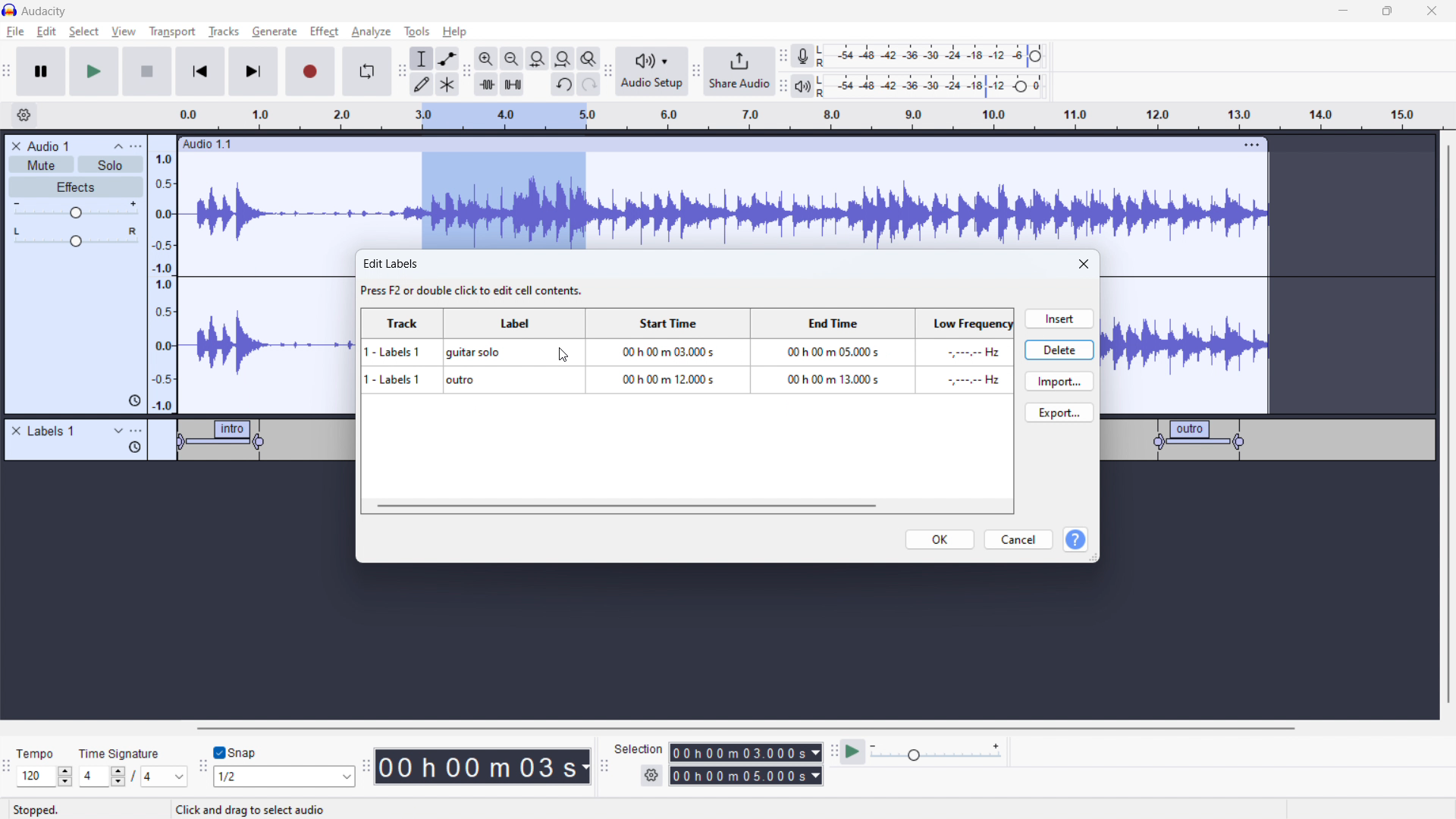  I want to click on tools toolbar, so click(402, 71).